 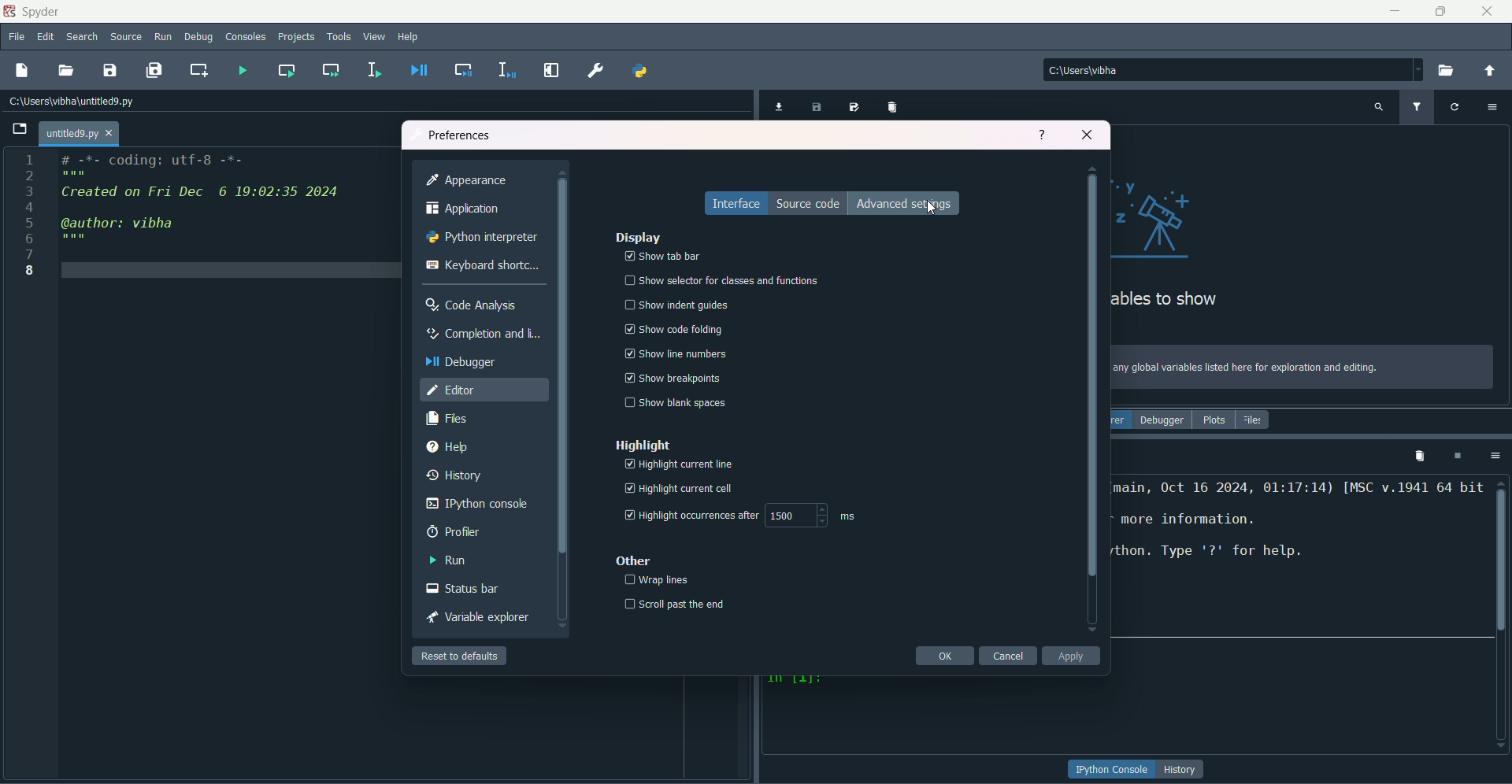 What do you see at coordinates (642, 72) in the screenshot?
I see `pythonpath manager` at bounding box center [642, 72].